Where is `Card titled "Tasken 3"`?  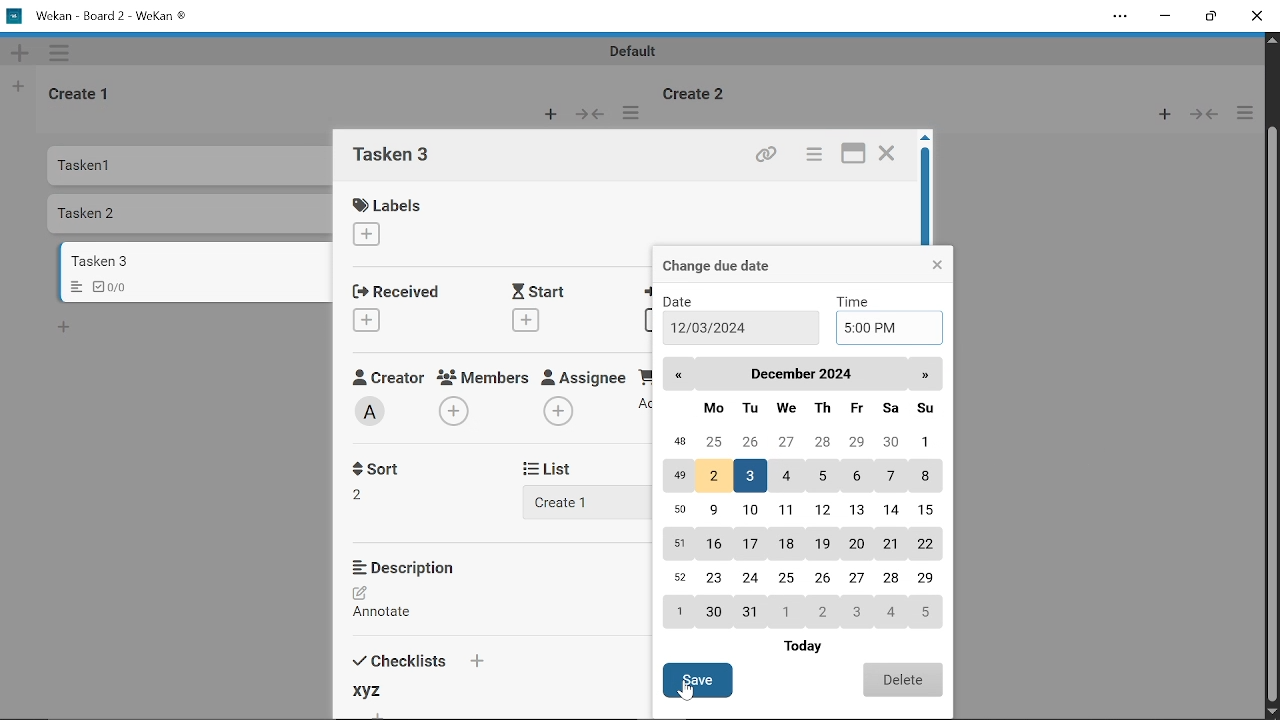
Card titled "Tasken 3" is located at coordinates (198, 260).